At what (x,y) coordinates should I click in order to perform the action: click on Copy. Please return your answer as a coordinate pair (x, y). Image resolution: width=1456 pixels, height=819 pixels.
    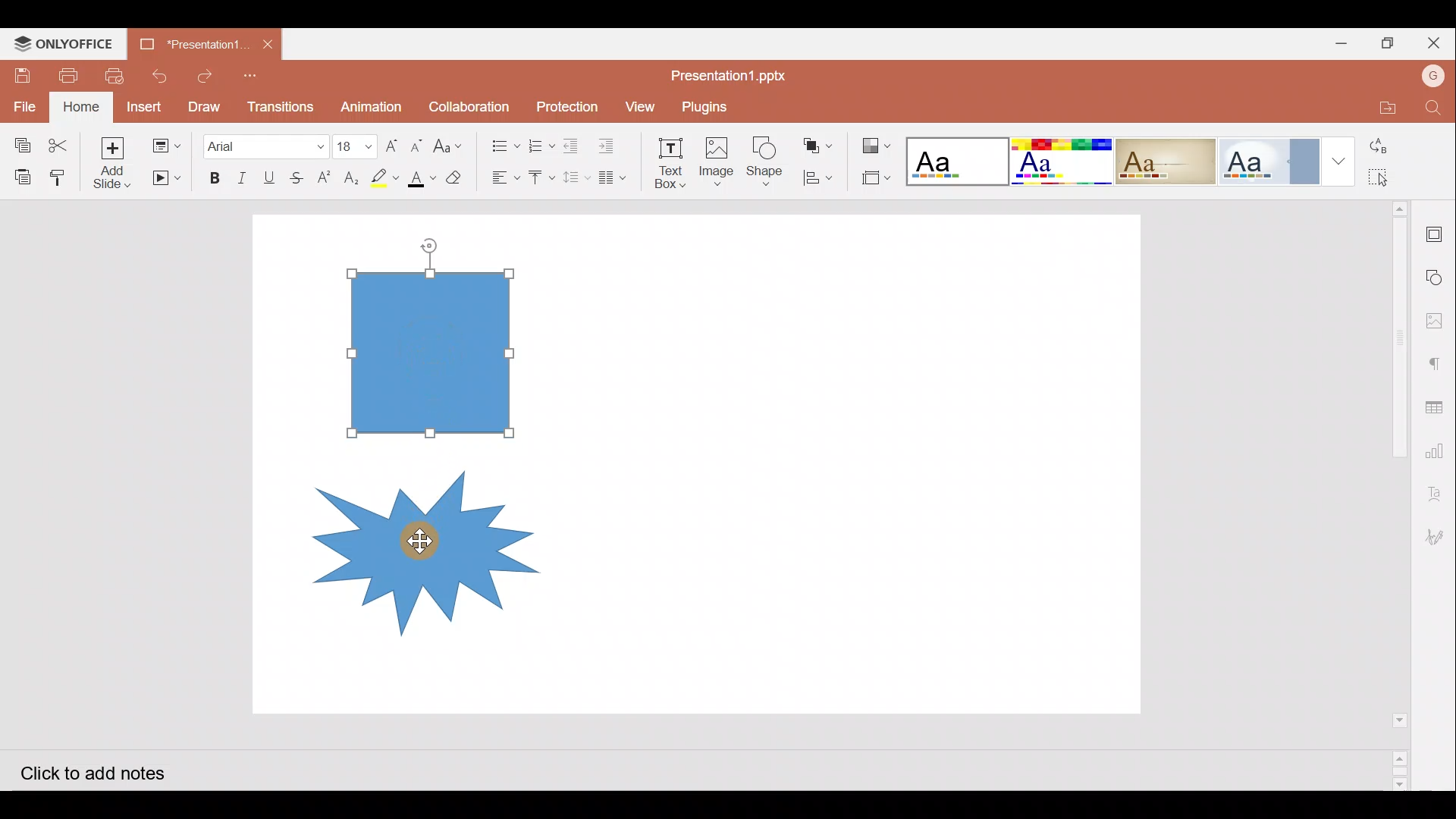
    Looking at the image, I should click on (18, 140).